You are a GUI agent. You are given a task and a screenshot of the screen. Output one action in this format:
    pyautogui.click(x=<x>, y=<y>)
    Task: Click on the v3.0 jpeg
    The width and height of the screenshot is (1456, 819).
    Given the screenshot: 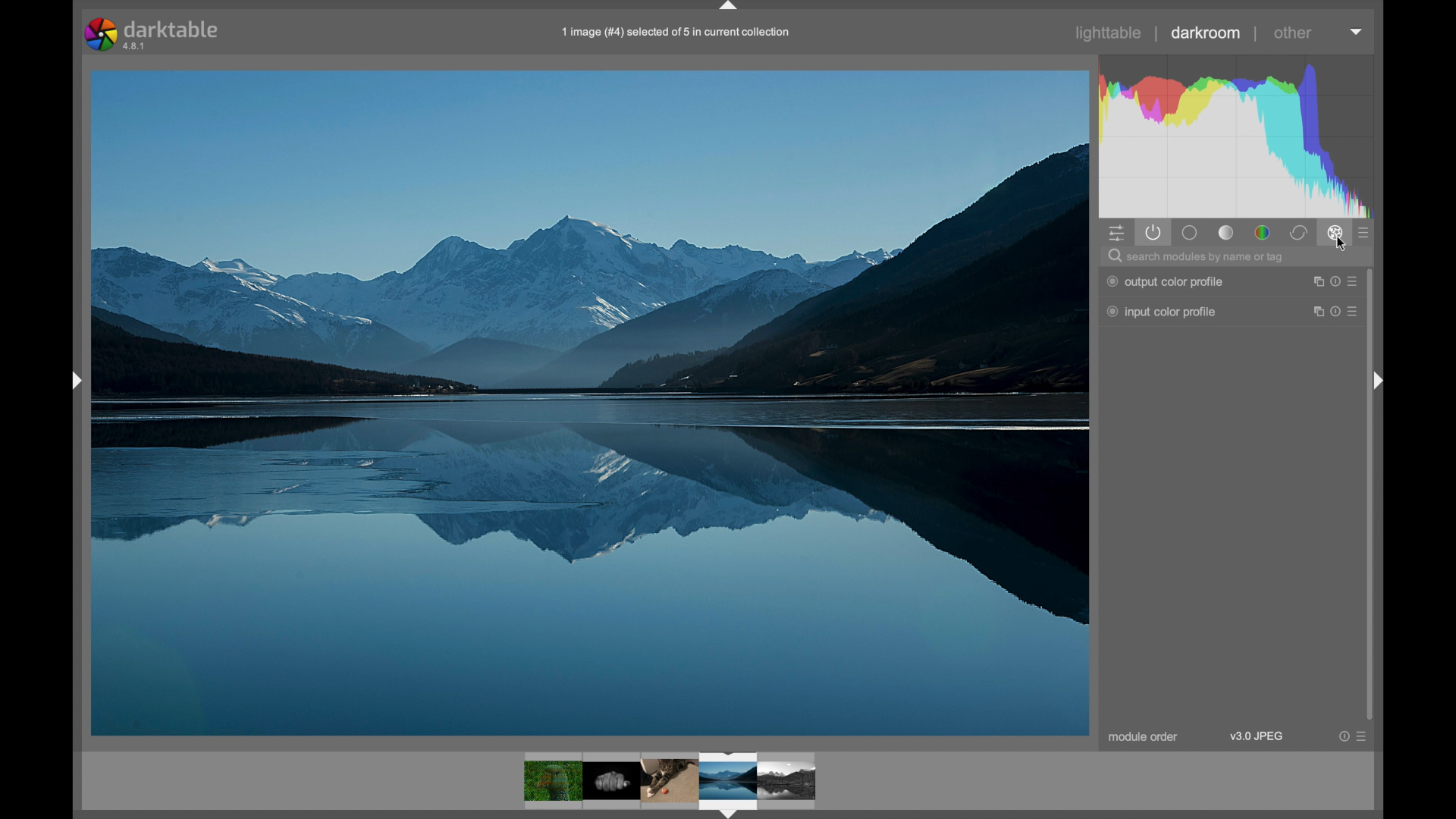 What is the action you would take?
    pyautogui.click(x=1256, y=736)
    